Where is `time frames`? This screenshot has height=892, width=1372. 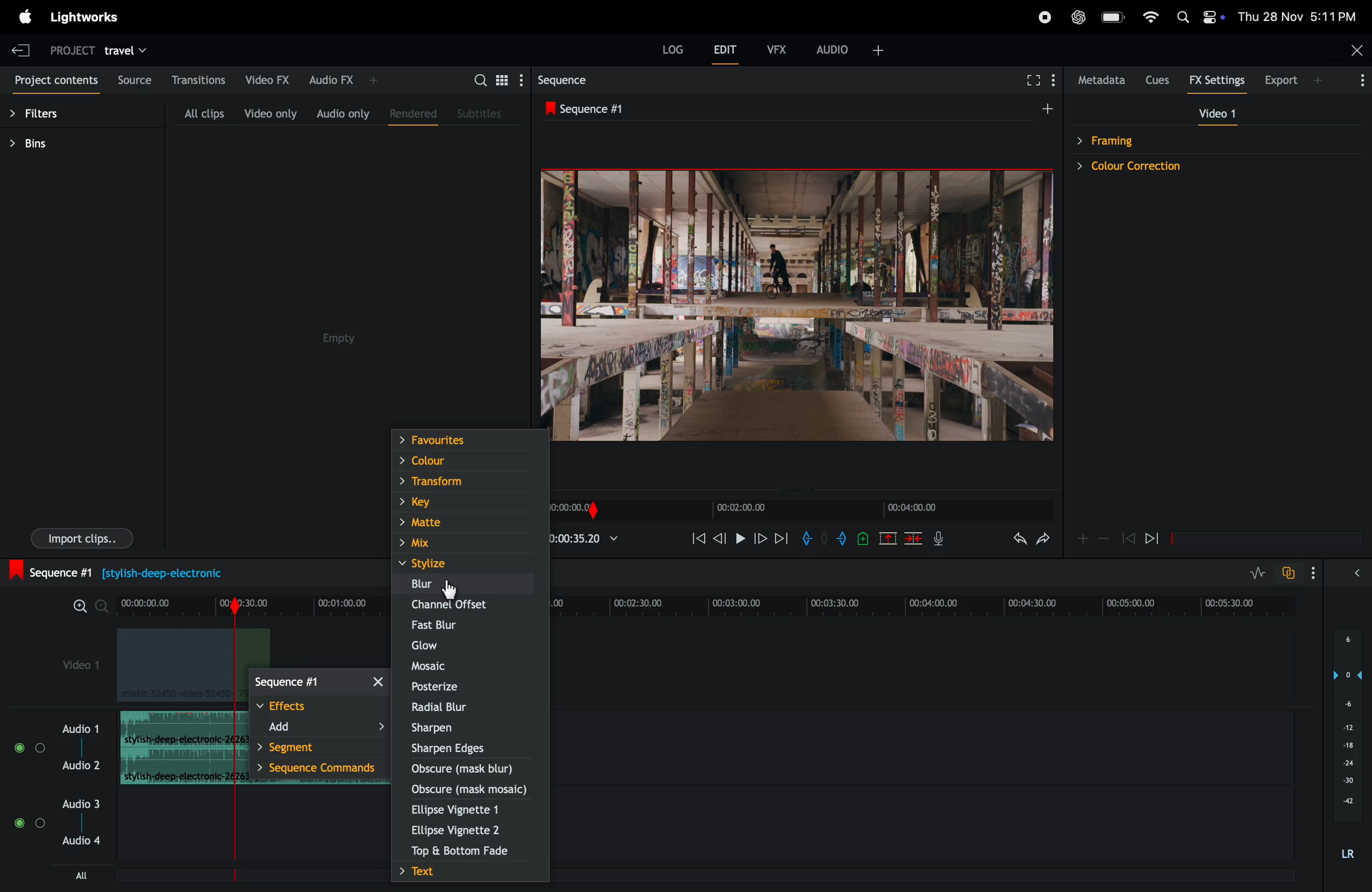 time frames is located at coordinates (802, 510).